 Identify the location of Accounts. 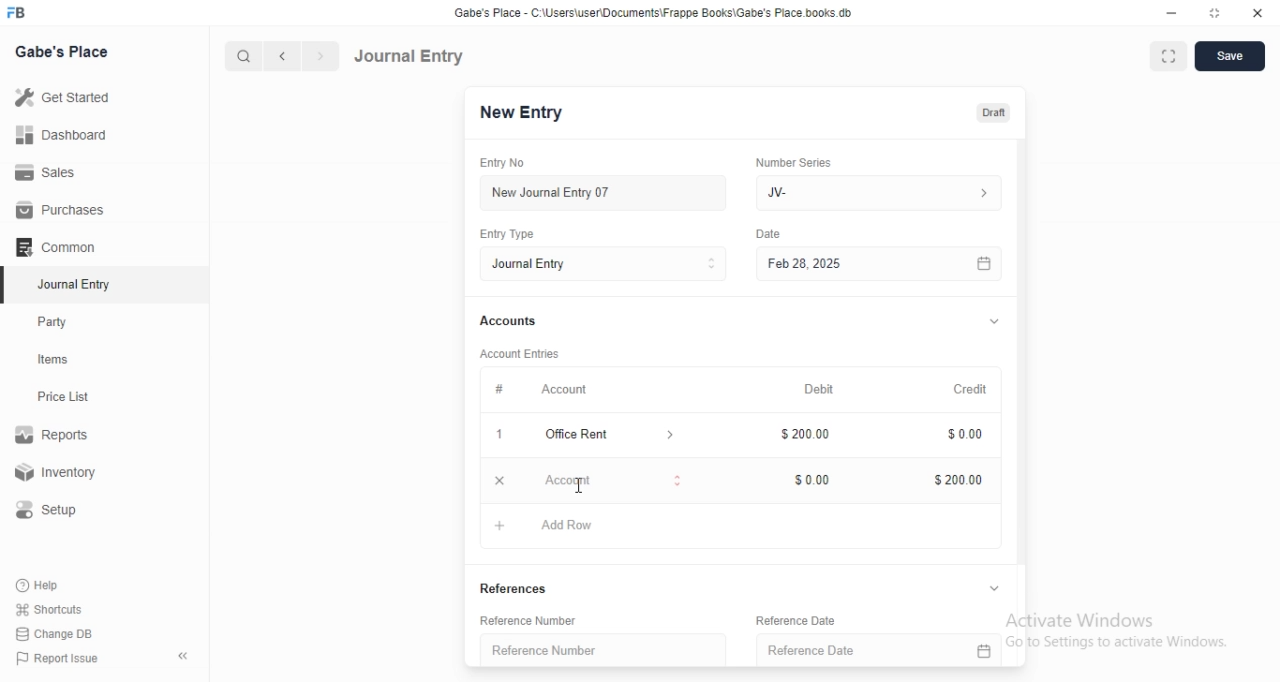
(506, 321).